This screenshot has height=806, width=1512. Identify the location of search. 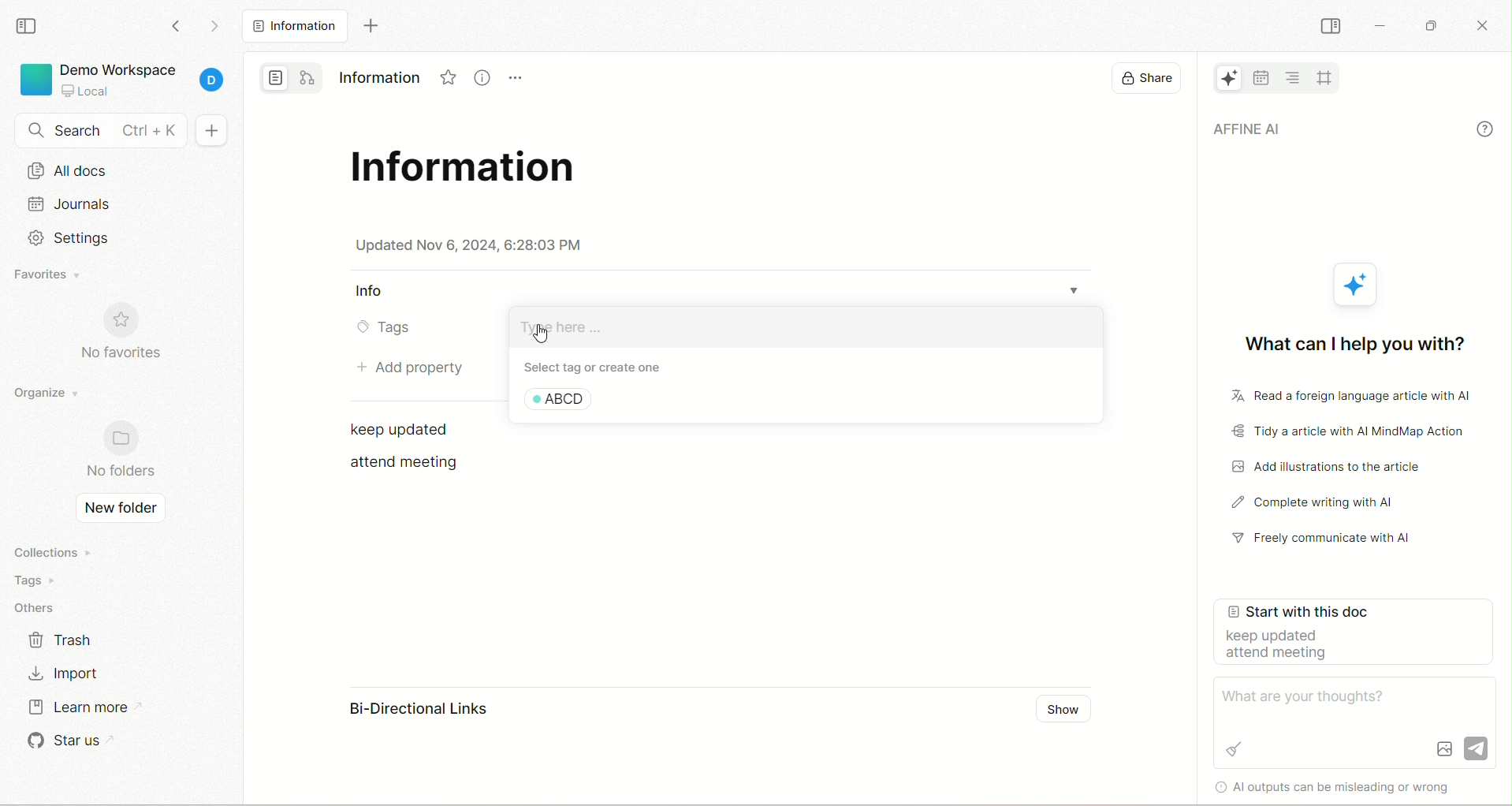
(95, 131).